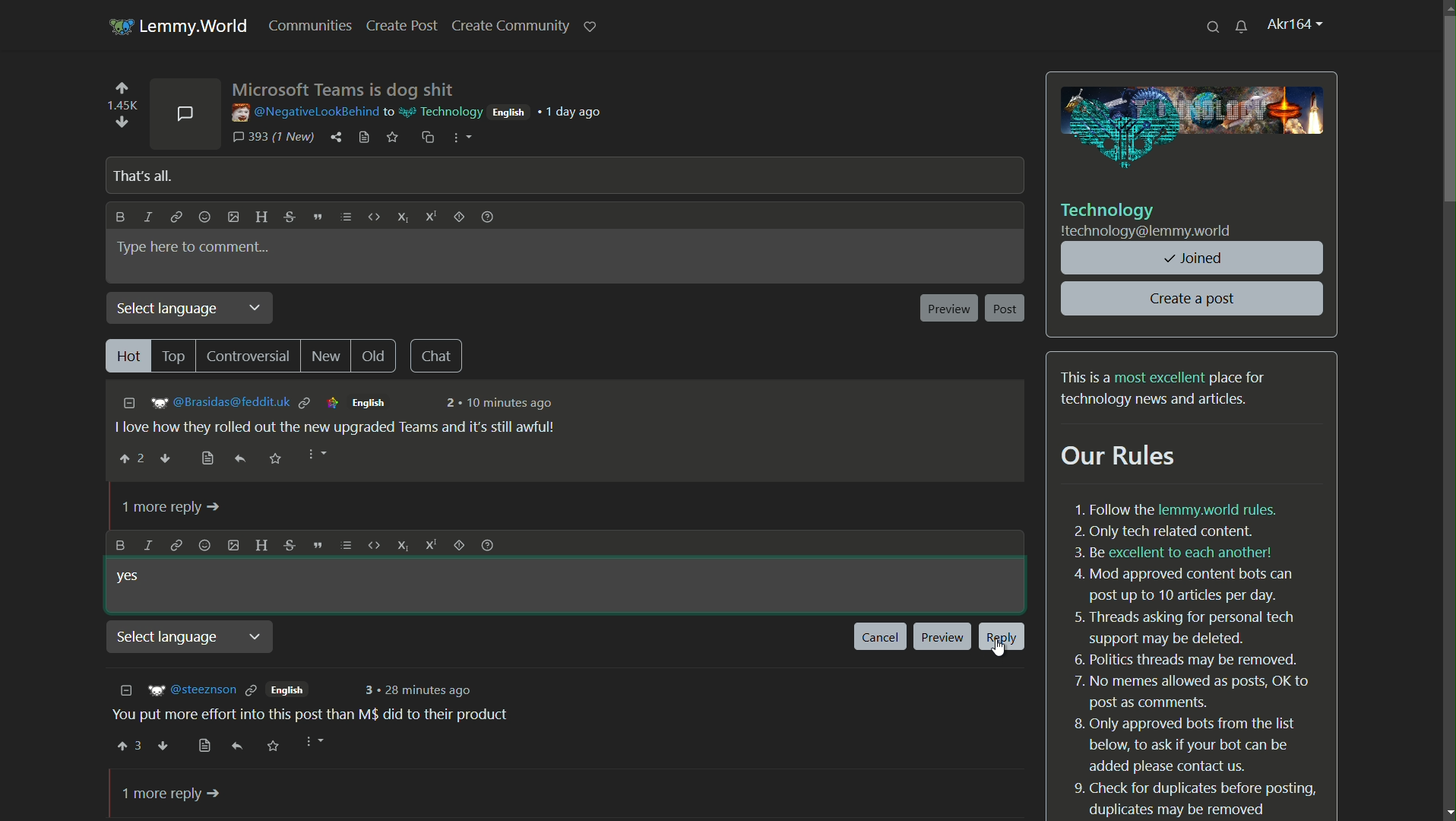 The height and width of the screenshot is (821, 1456). Describe the element at coordinates (233, 546) in the screenshot. I see `add image` at that location.